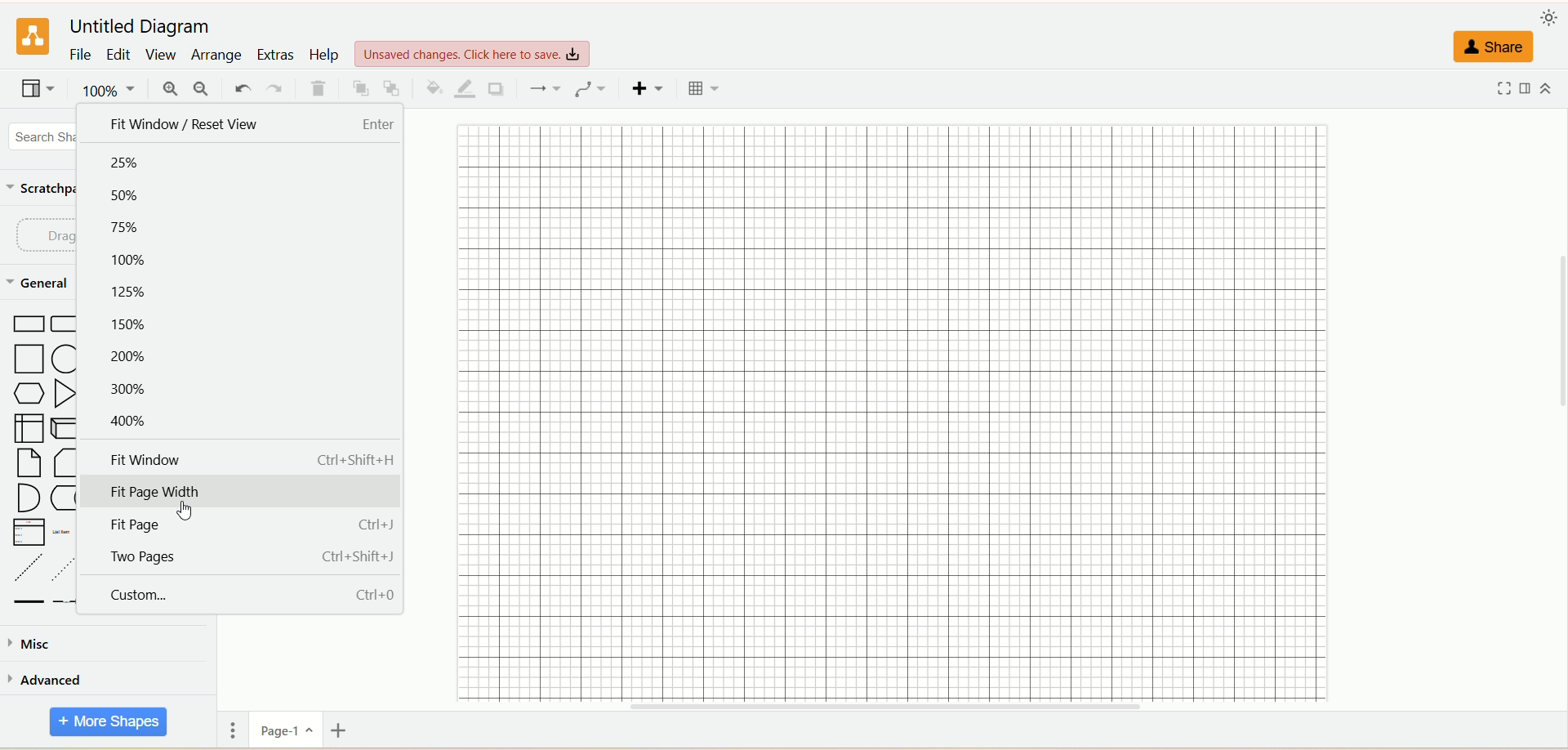  I want to click on dotted line, so click(65, 568).